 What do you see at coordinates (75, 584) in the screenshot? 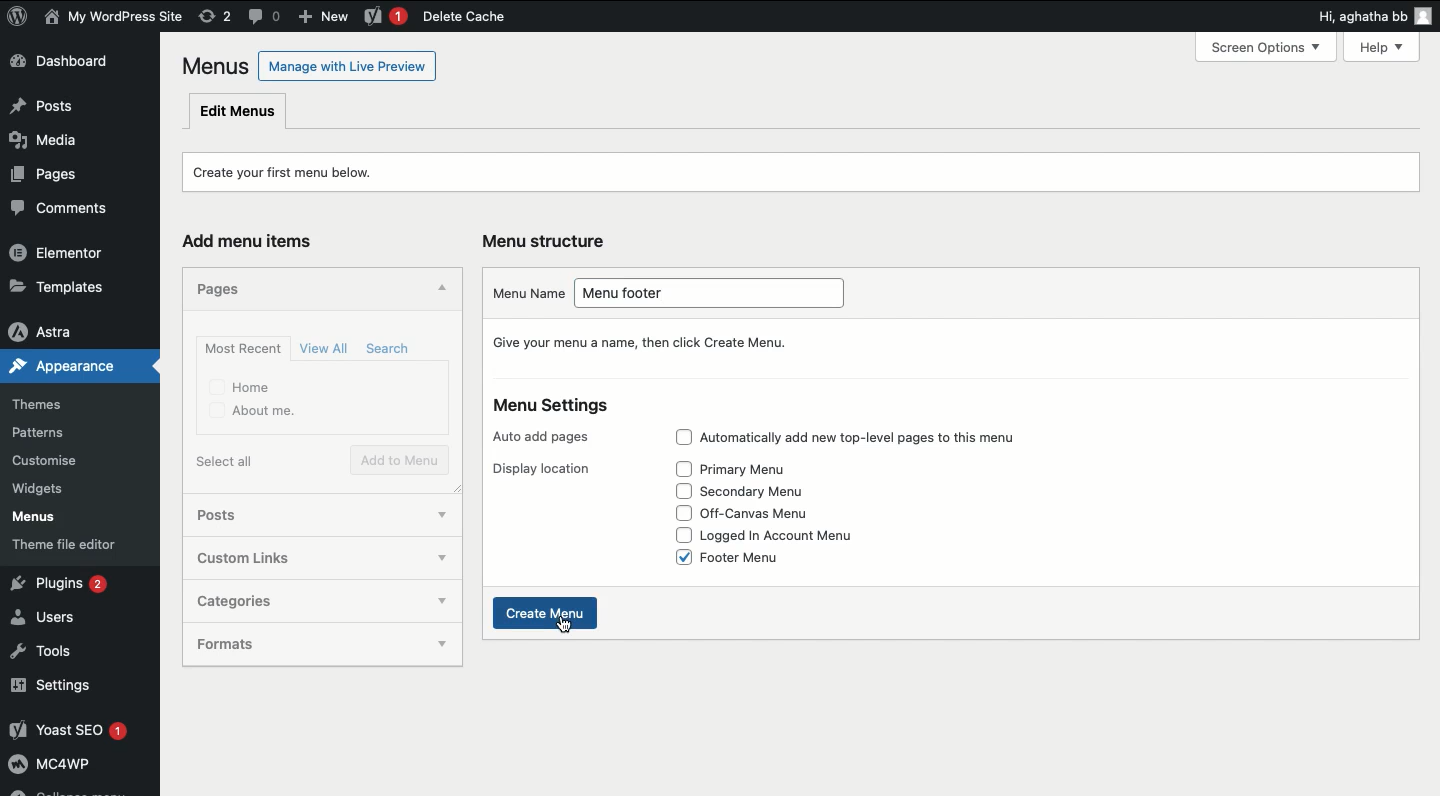
I see `Plugins 2` at bounding box center [75, 584].